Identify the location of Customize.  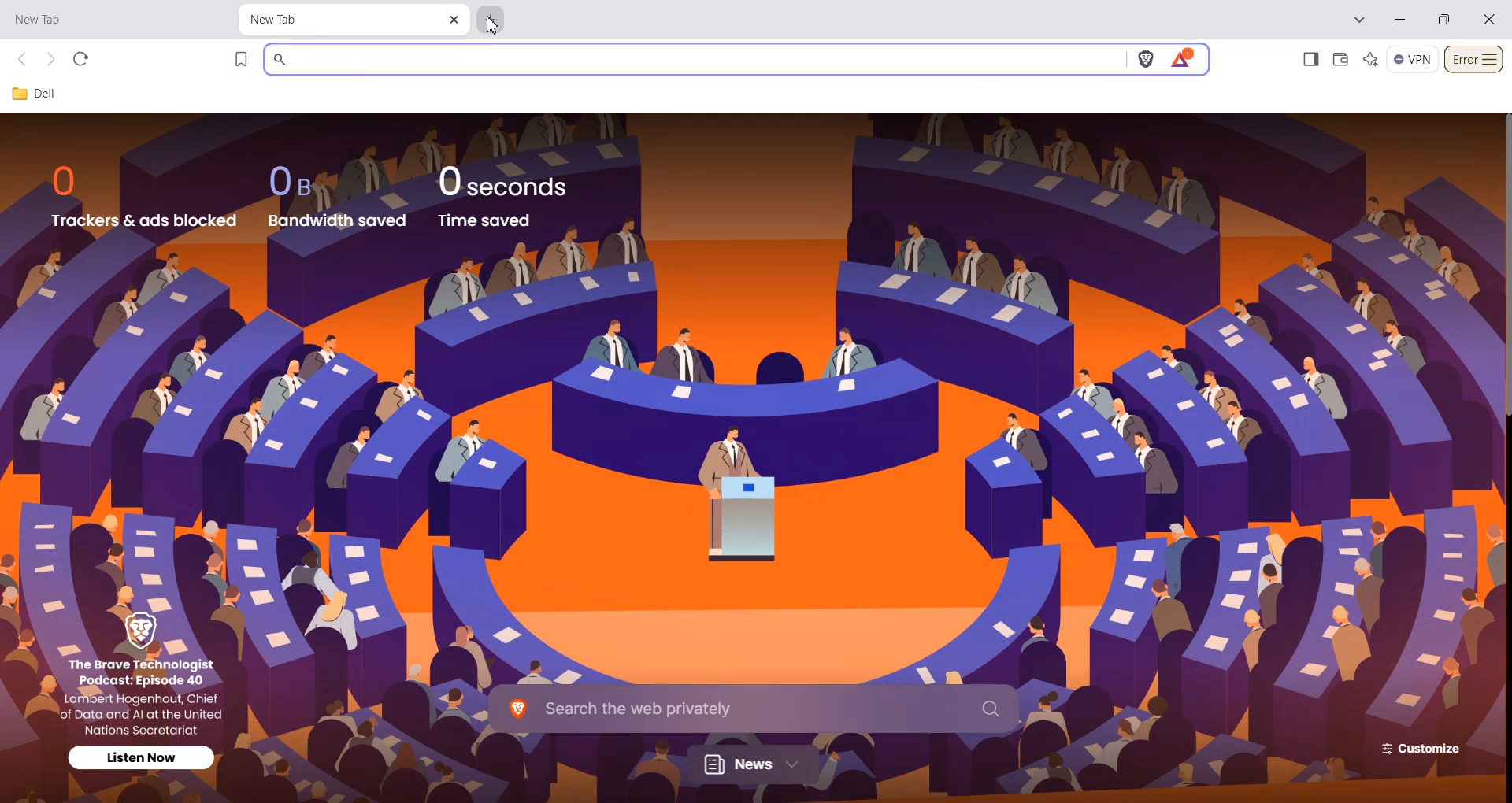
(1416, 748).